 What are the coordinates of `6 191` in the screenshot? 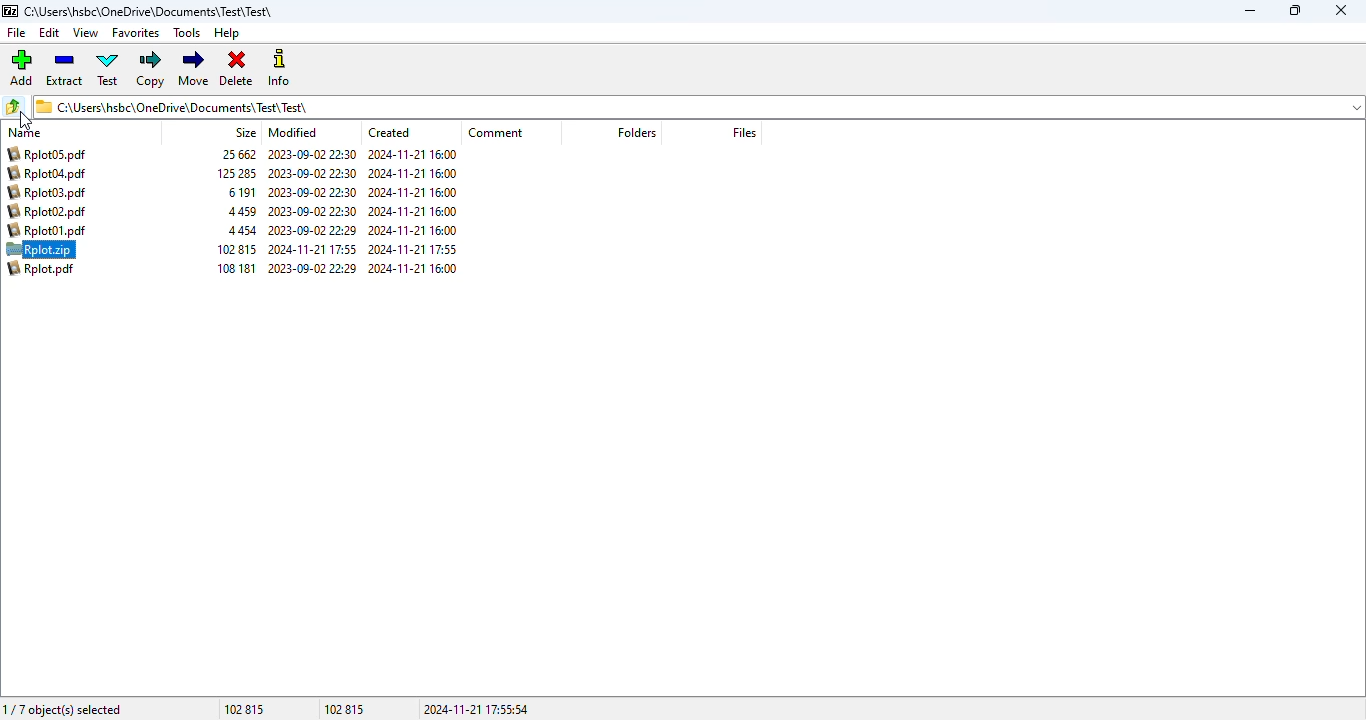 It's located at (241, 192).